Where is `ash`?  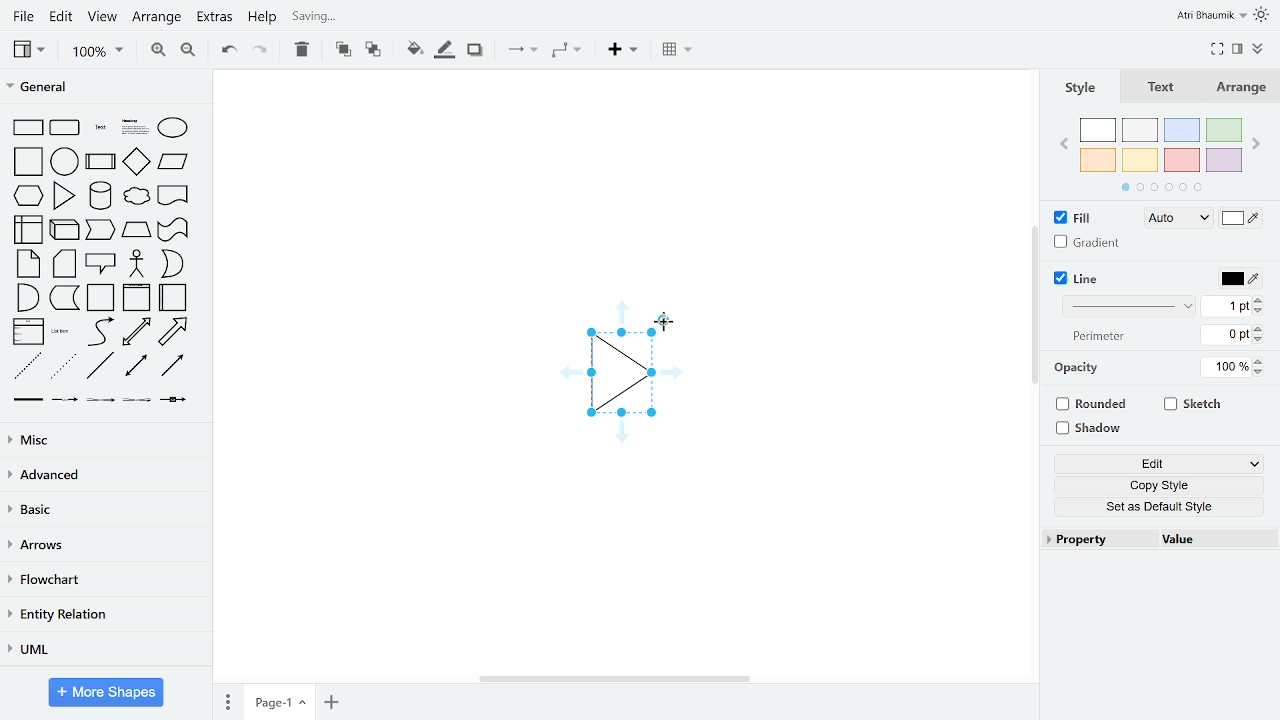
ash is located at coordinates (1140, 130).